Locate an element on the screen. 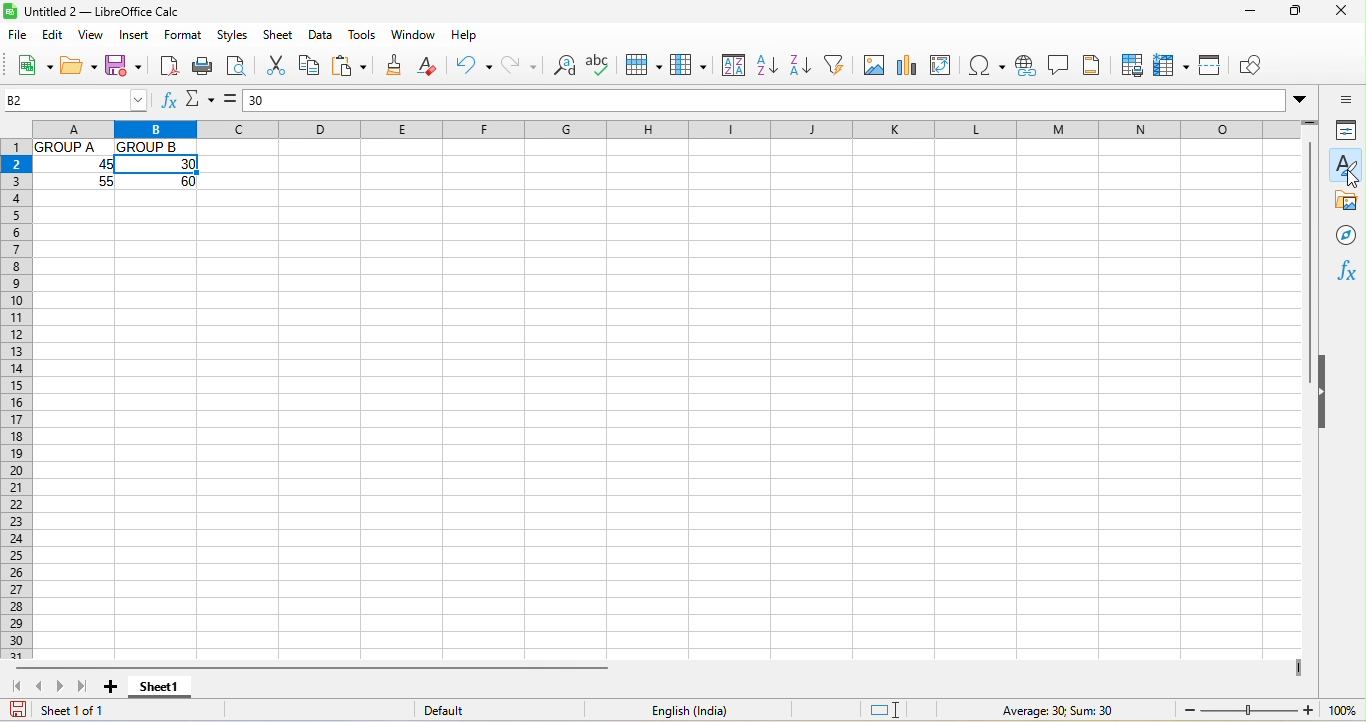 The width and height of the screenshot is (1366, 722). spelling is located at coordinates (602, 64).